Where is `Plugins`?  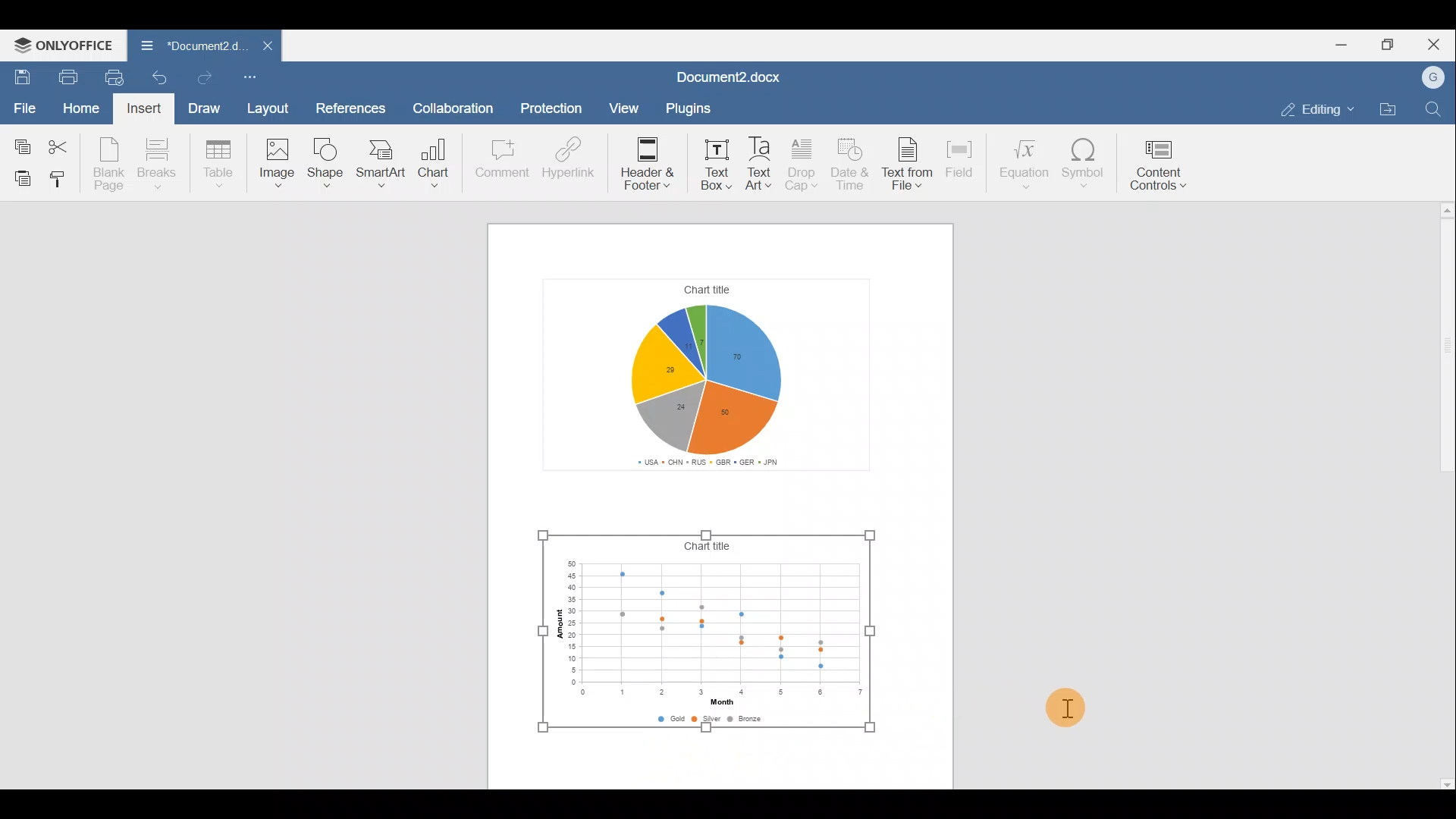 Plugins is located at coordinates (687, 106).